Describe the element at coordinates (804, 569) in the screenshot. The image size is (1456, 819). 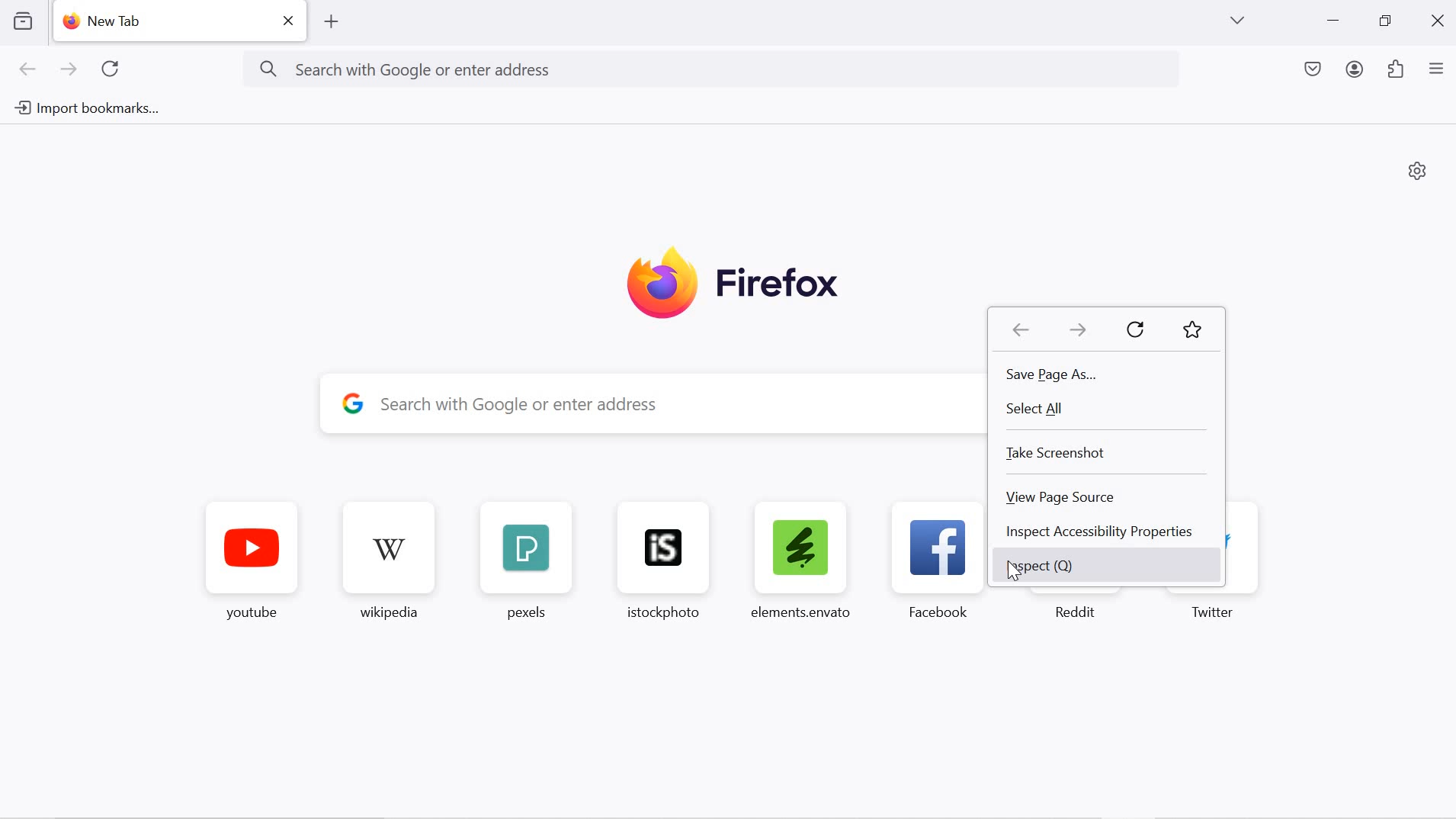
I see `elements.envato` at that location.